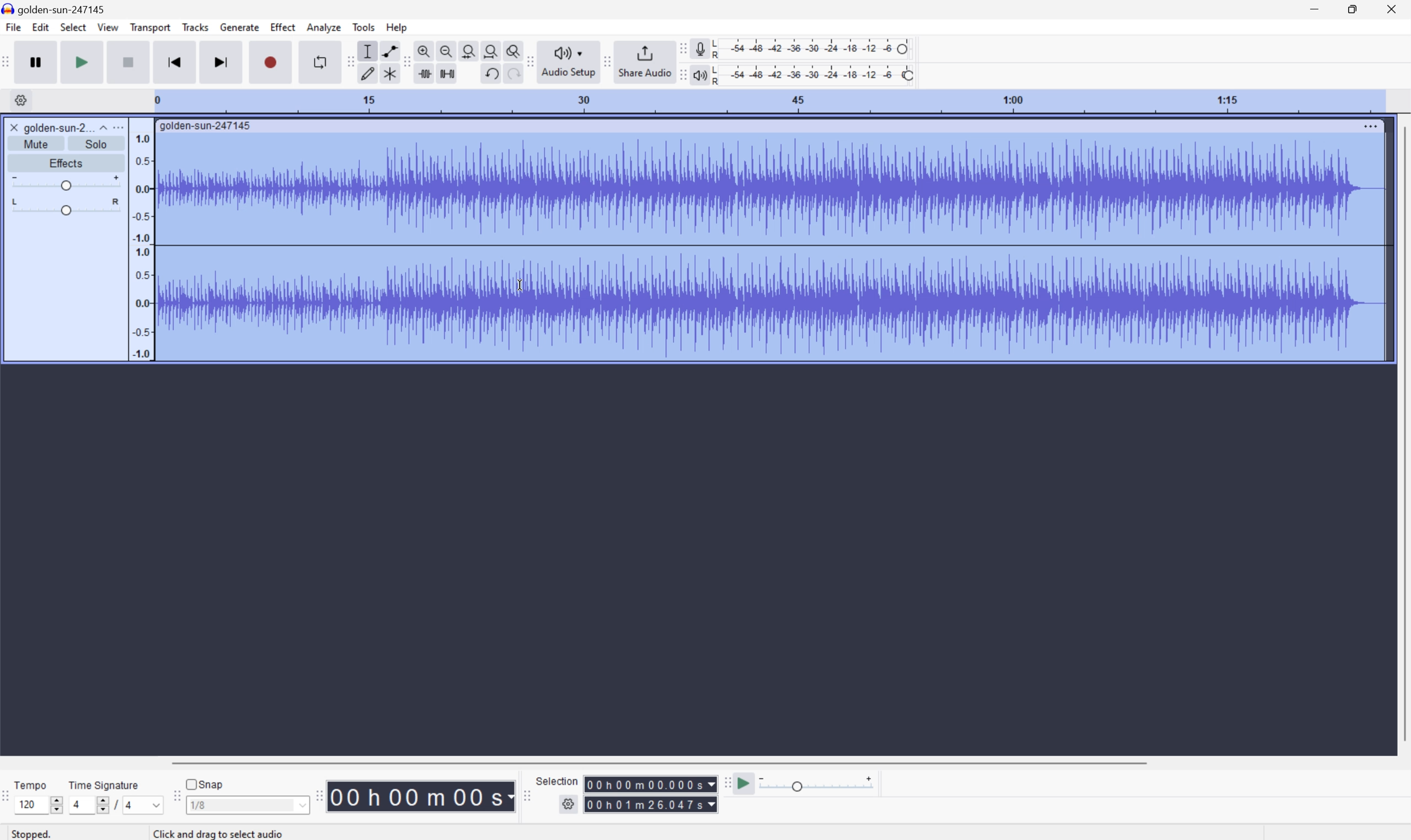  I want to click on 4, so click(145, 805).